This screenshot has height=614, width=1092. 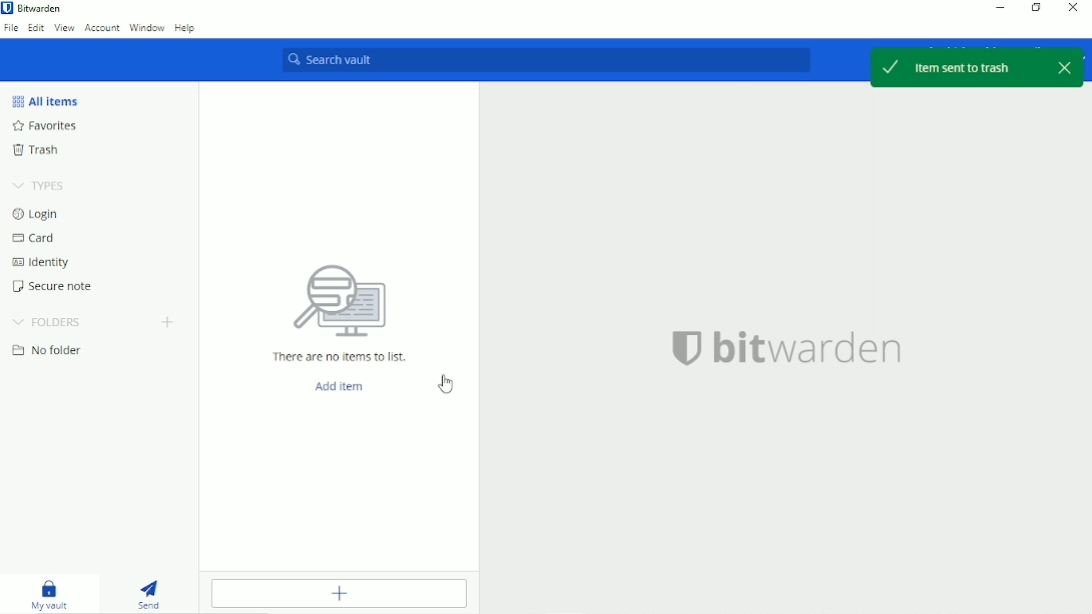 What do you see at coordinates (42, 216) in the screenshot?
I see `Login` at bounding box center [42, 216].